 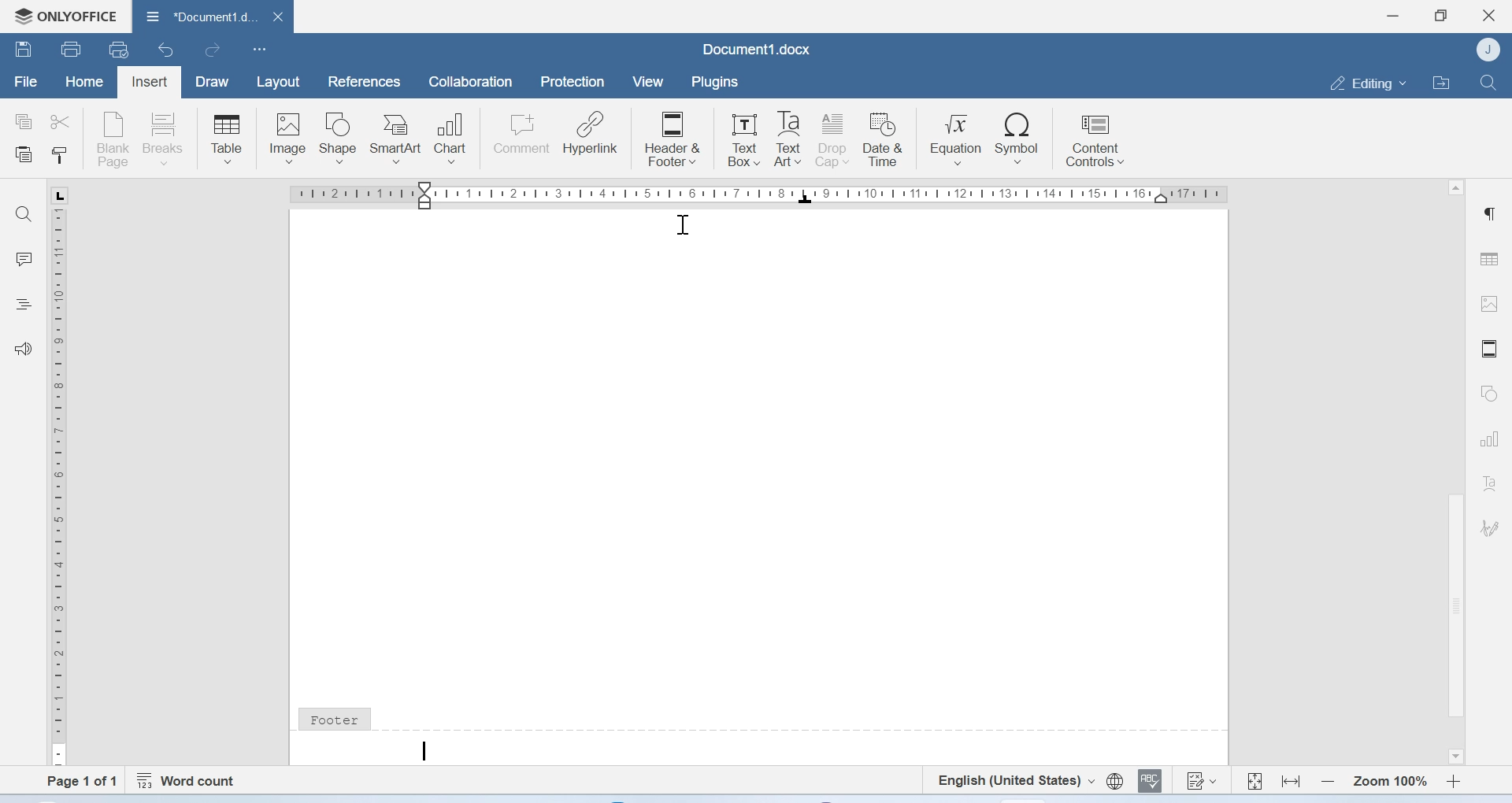 I want to click on Scrollbar, so click(x=1455, y=608).